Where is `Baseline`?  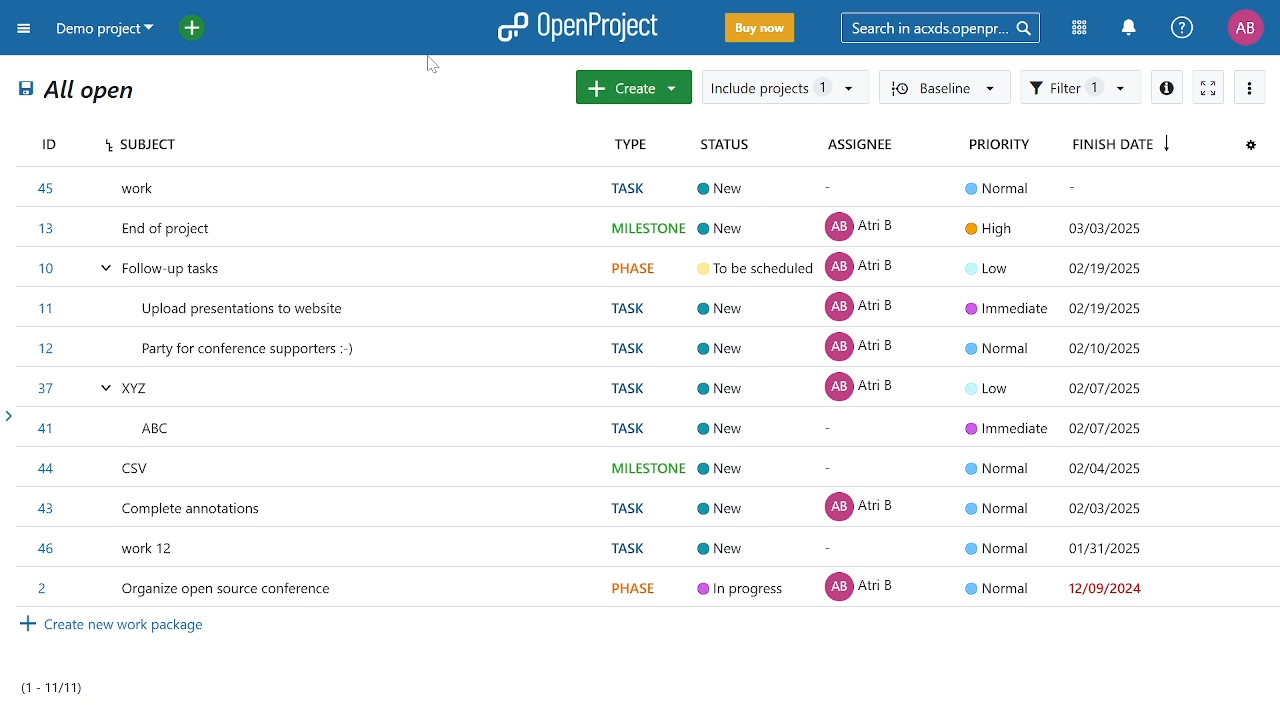 Baseline is located at coordinates (941, 88).